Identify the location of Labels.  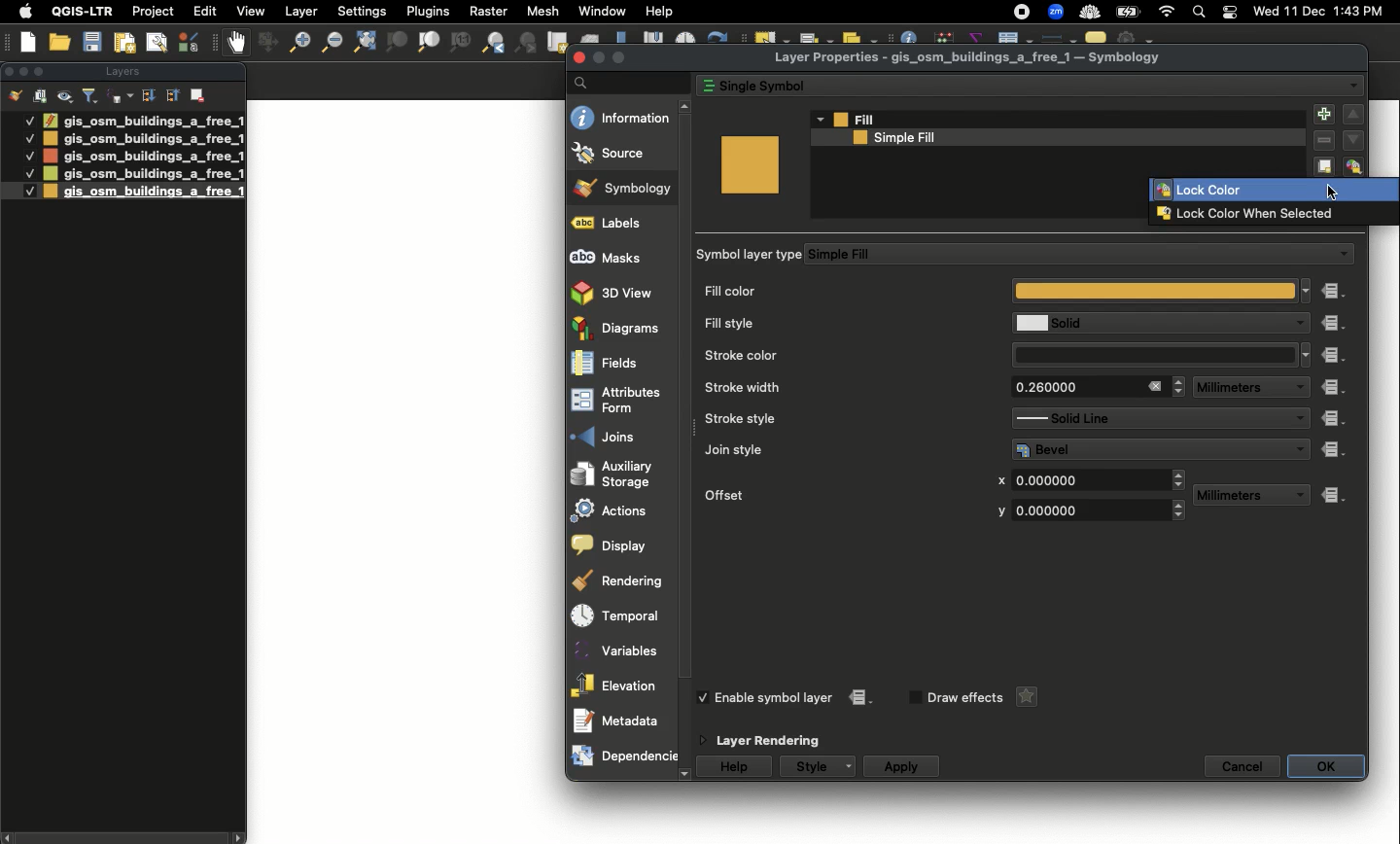
(619, 224).